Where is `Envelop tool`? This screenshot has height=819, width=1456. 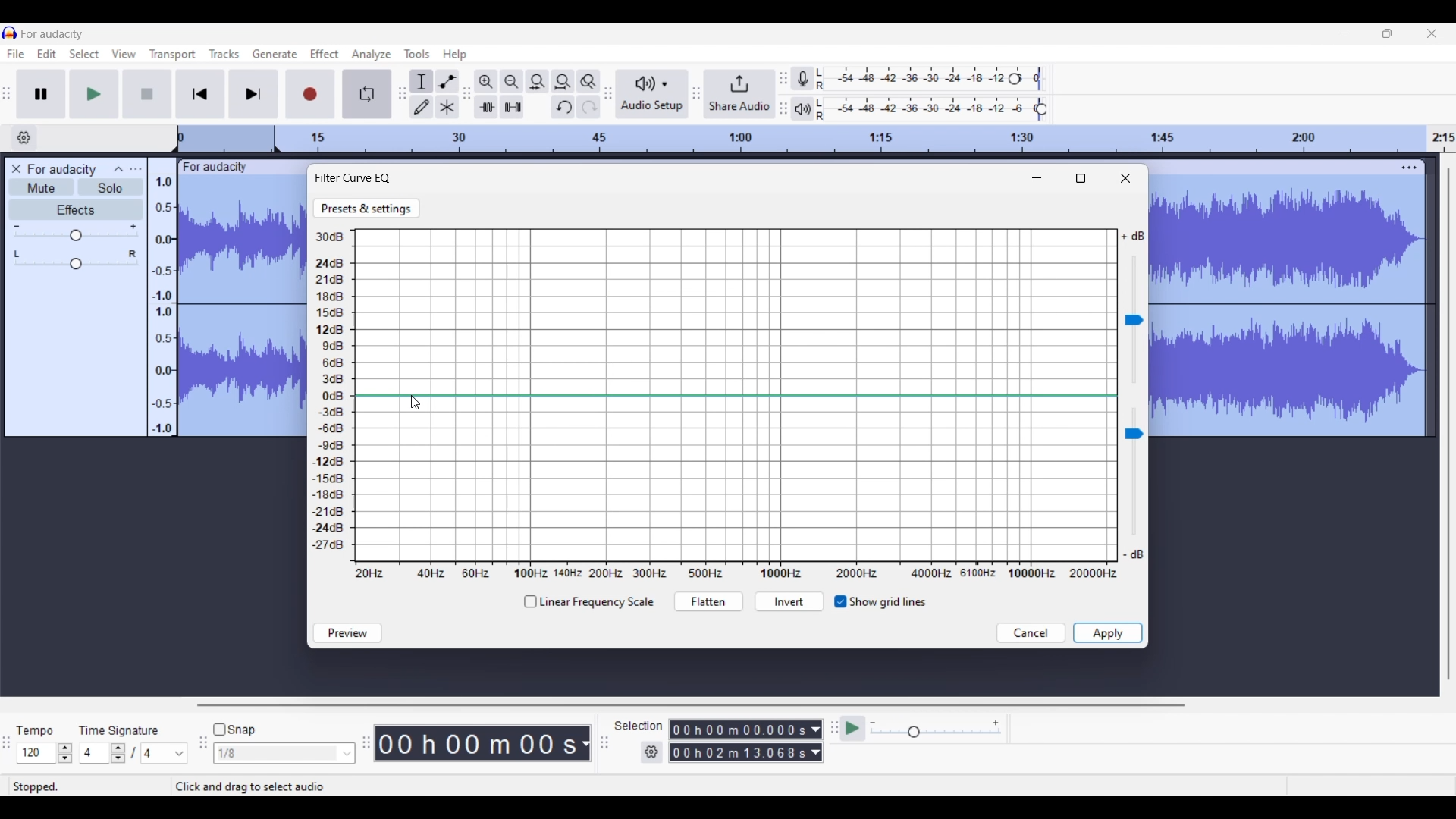
Envelop tool is located at coordinates (447, 81).